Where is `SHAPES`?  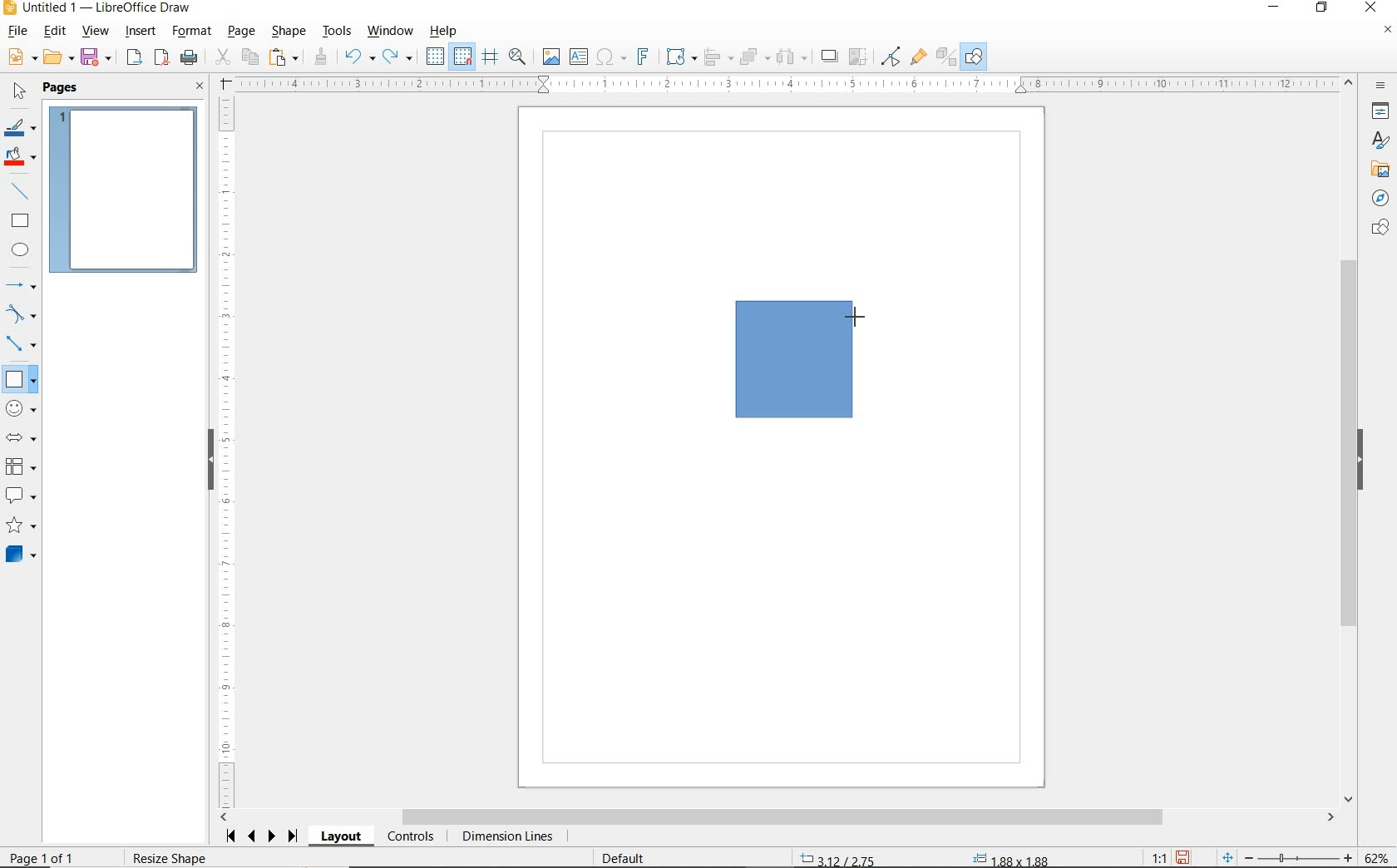 SHAPES is located at coordinates (1378, 229).